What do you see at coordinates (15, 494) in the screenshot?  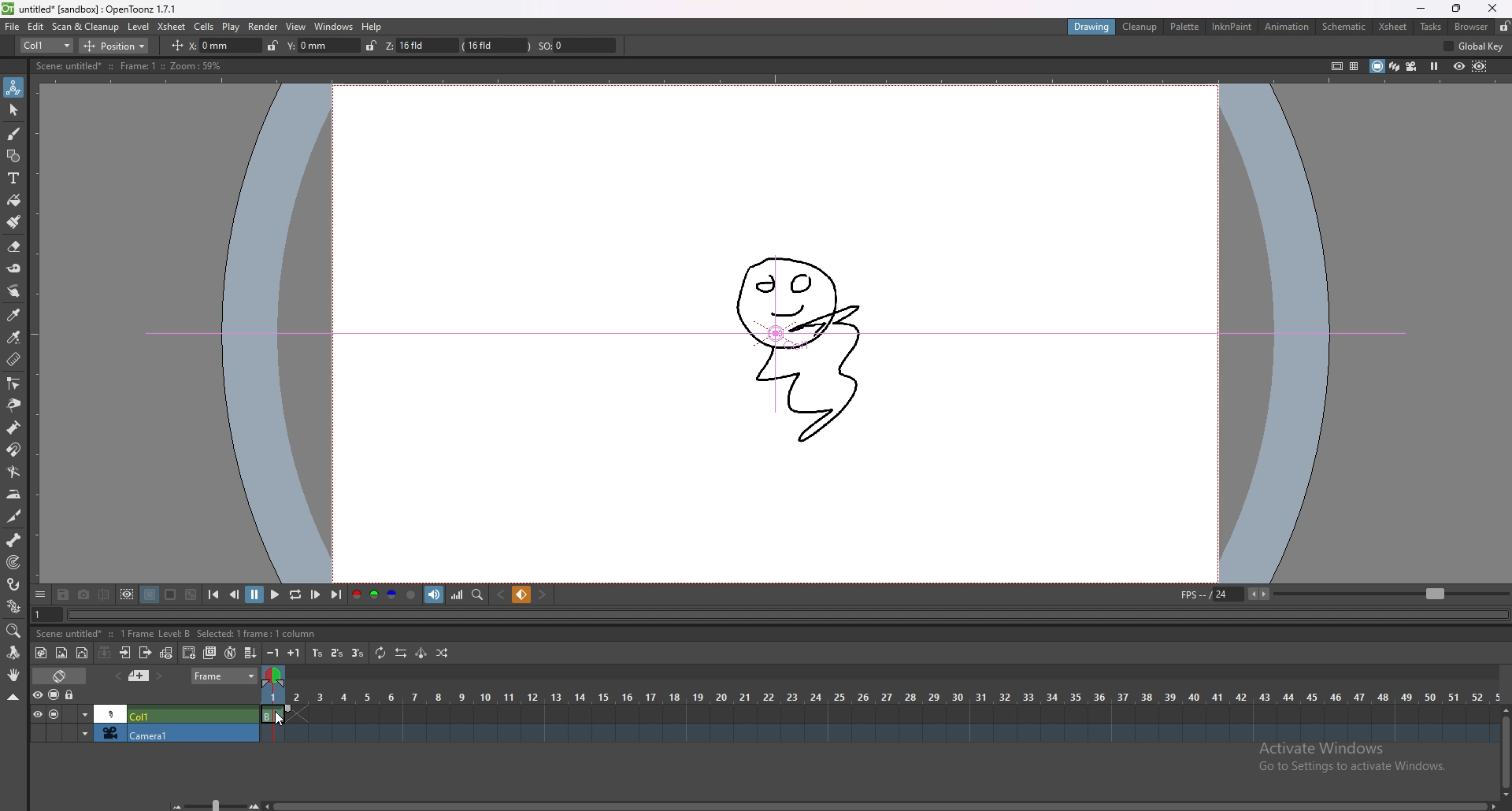 I see `iron` at bounding box center [15, 494].